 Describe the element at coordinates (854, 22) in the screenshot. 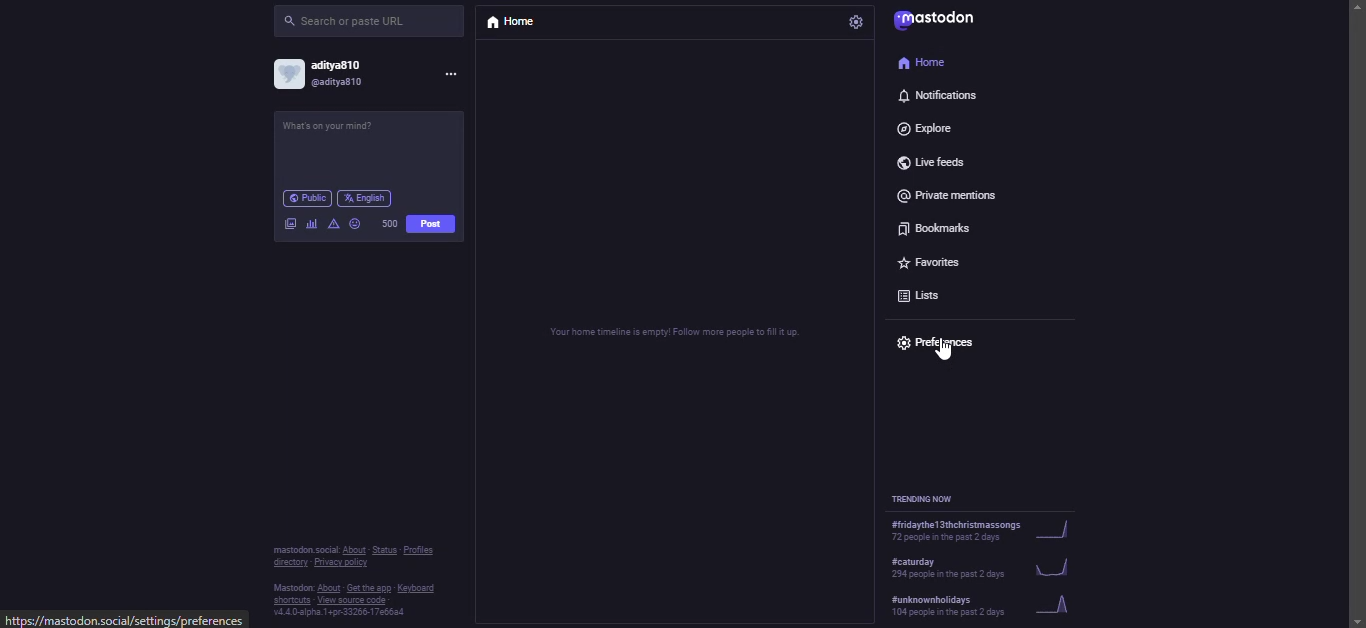

I see `settings` at that location.